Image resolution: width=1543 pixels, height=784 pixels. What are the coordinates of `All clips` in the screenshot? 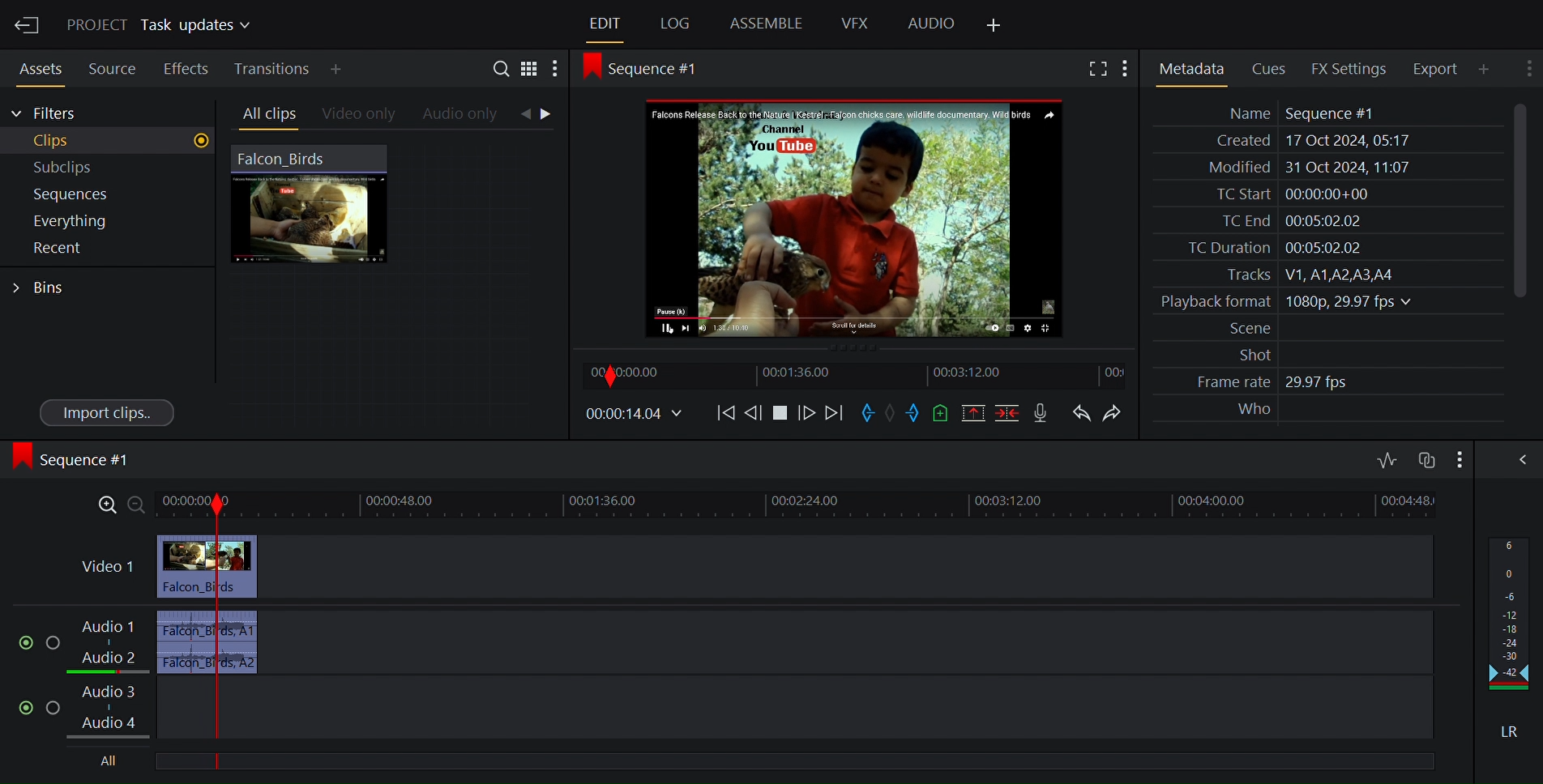 It's located at (265, 114).